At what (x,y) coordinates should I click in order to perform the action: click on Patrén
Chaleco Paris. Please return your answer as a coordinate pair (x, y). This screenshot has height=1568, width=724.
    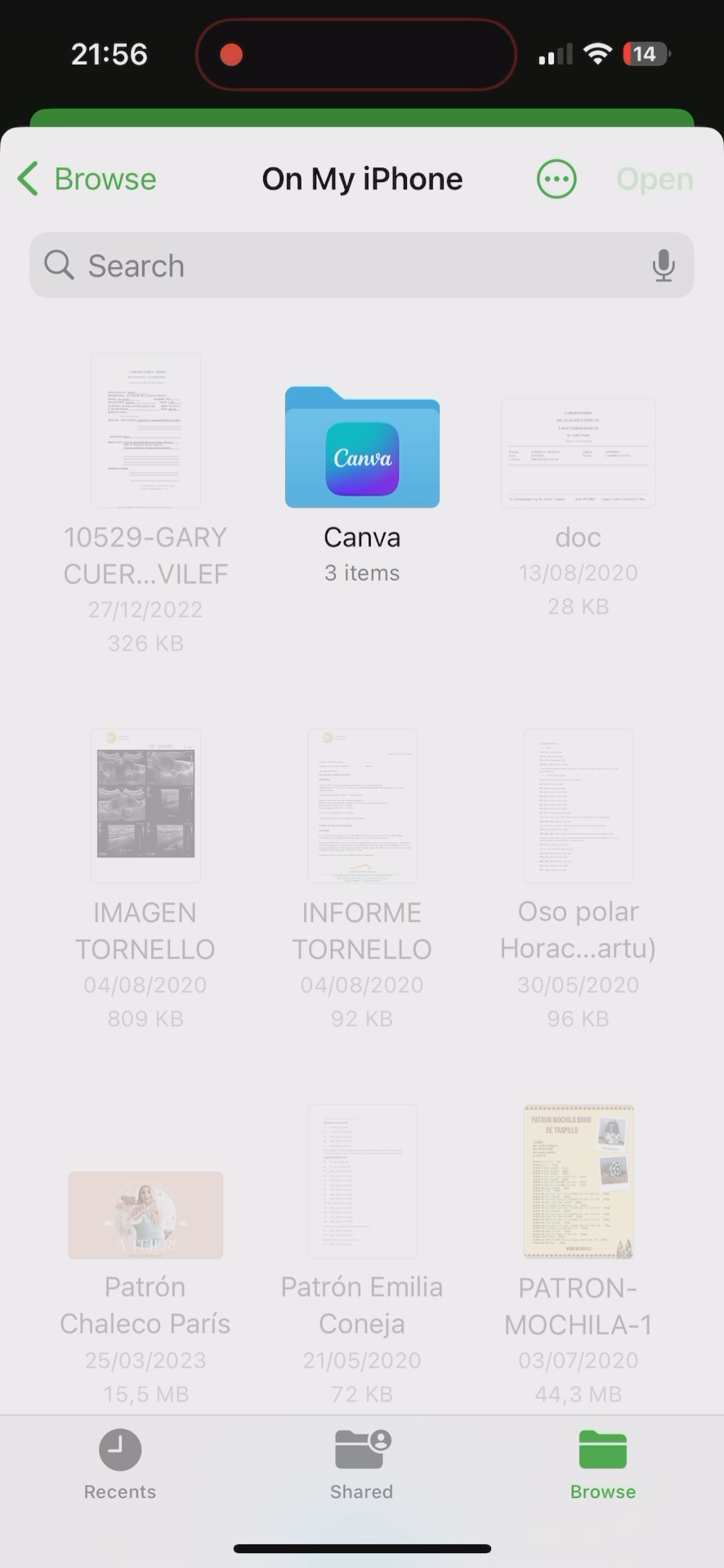
    Looking at the image, I should click on (148, 1249).